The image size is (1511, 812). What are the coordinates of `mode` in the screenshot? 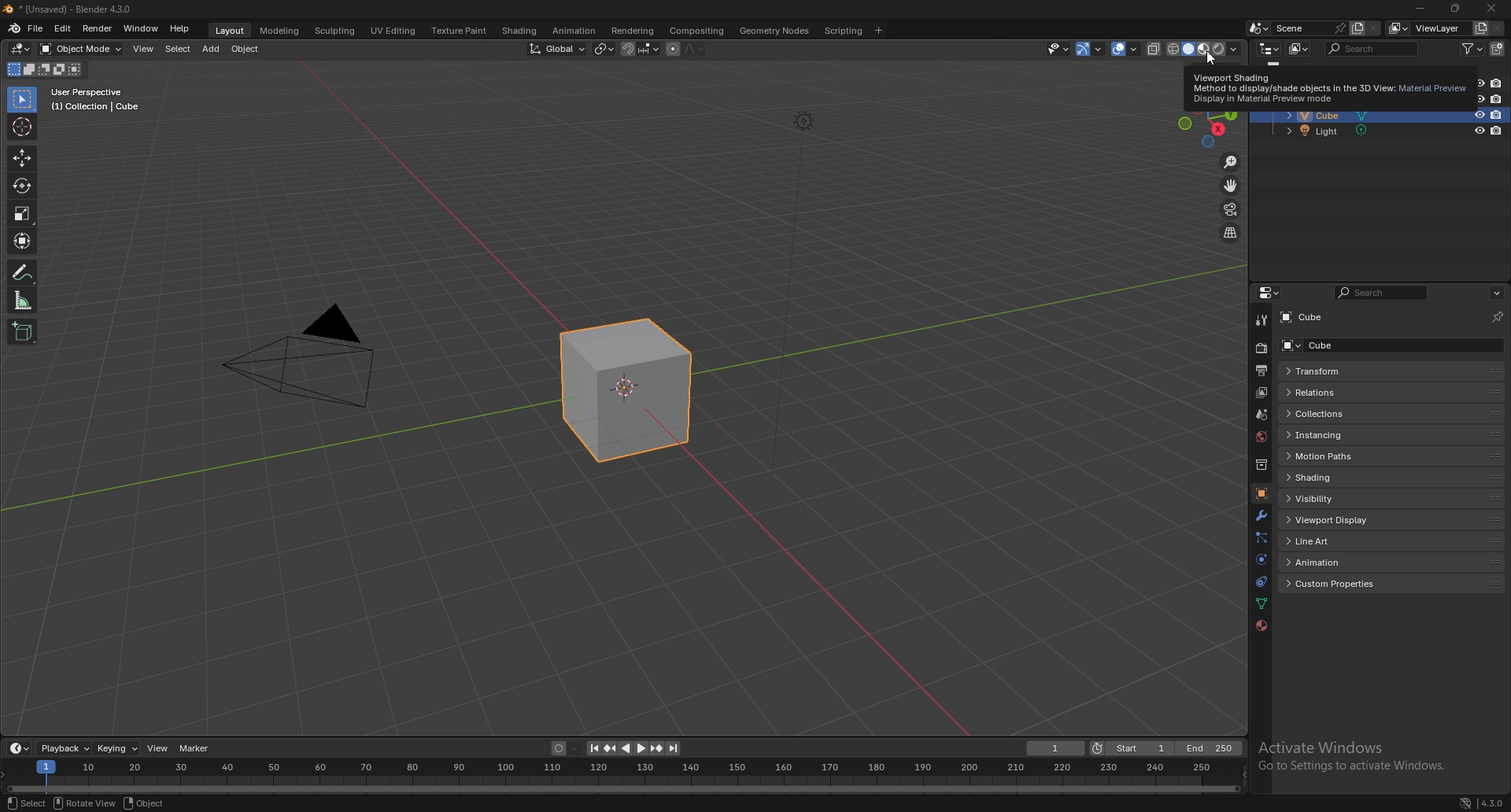 It's located at (46, 69).